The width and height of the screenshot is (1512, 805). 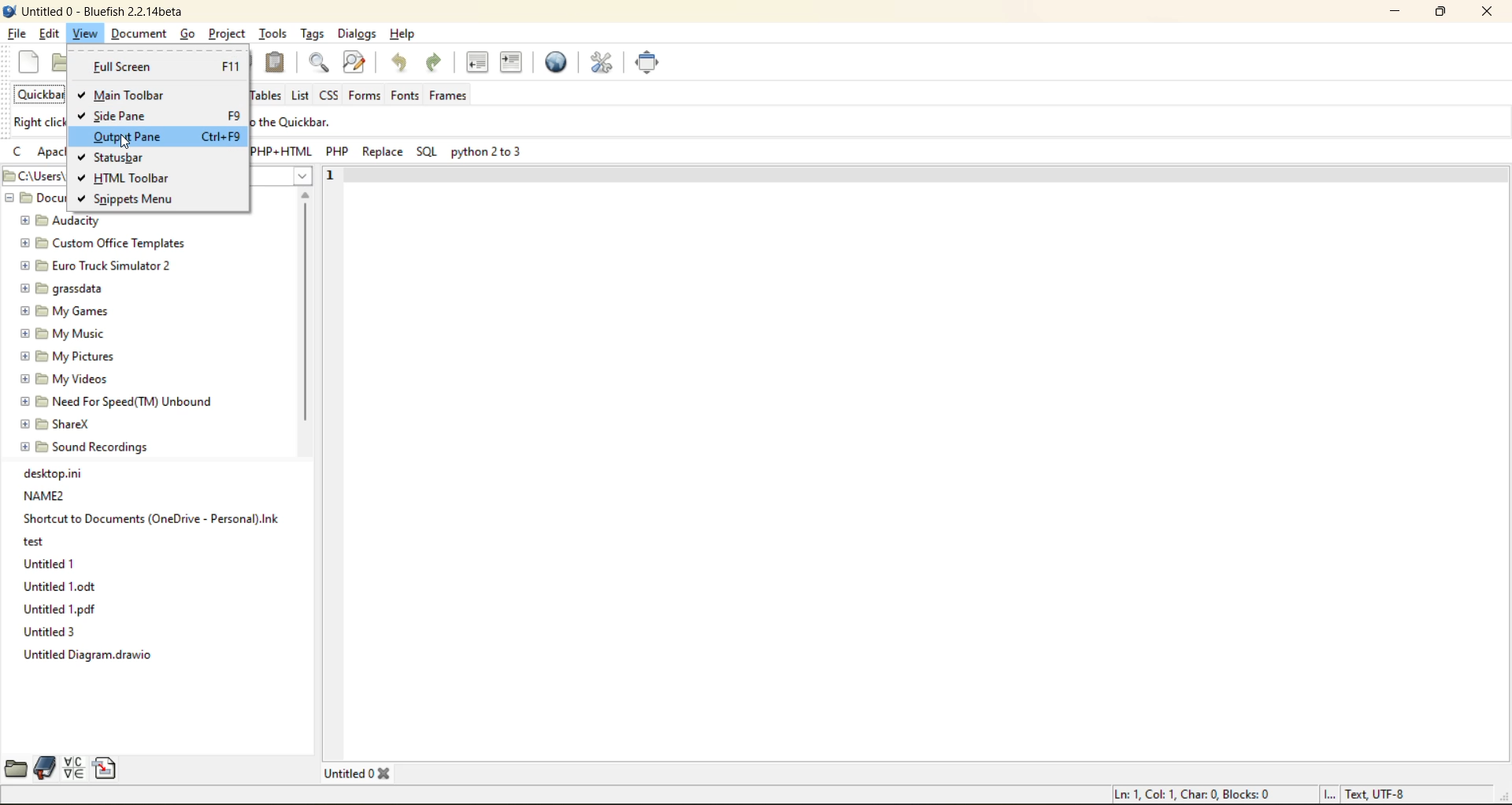 I want to click on undo, so click(x=406, y=63).